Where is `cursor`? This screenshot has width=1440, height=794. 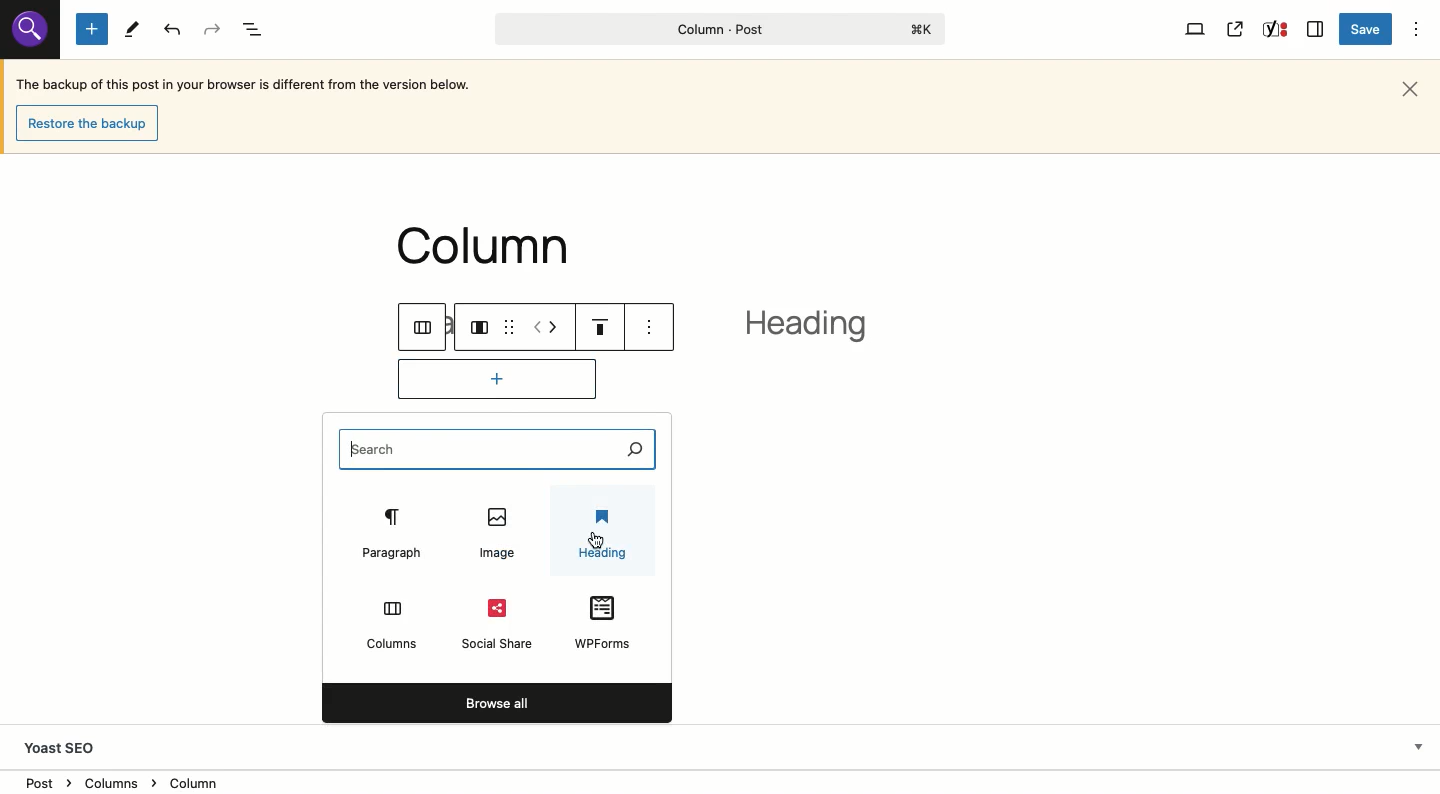
cursor is located at coordinates (596, 546).